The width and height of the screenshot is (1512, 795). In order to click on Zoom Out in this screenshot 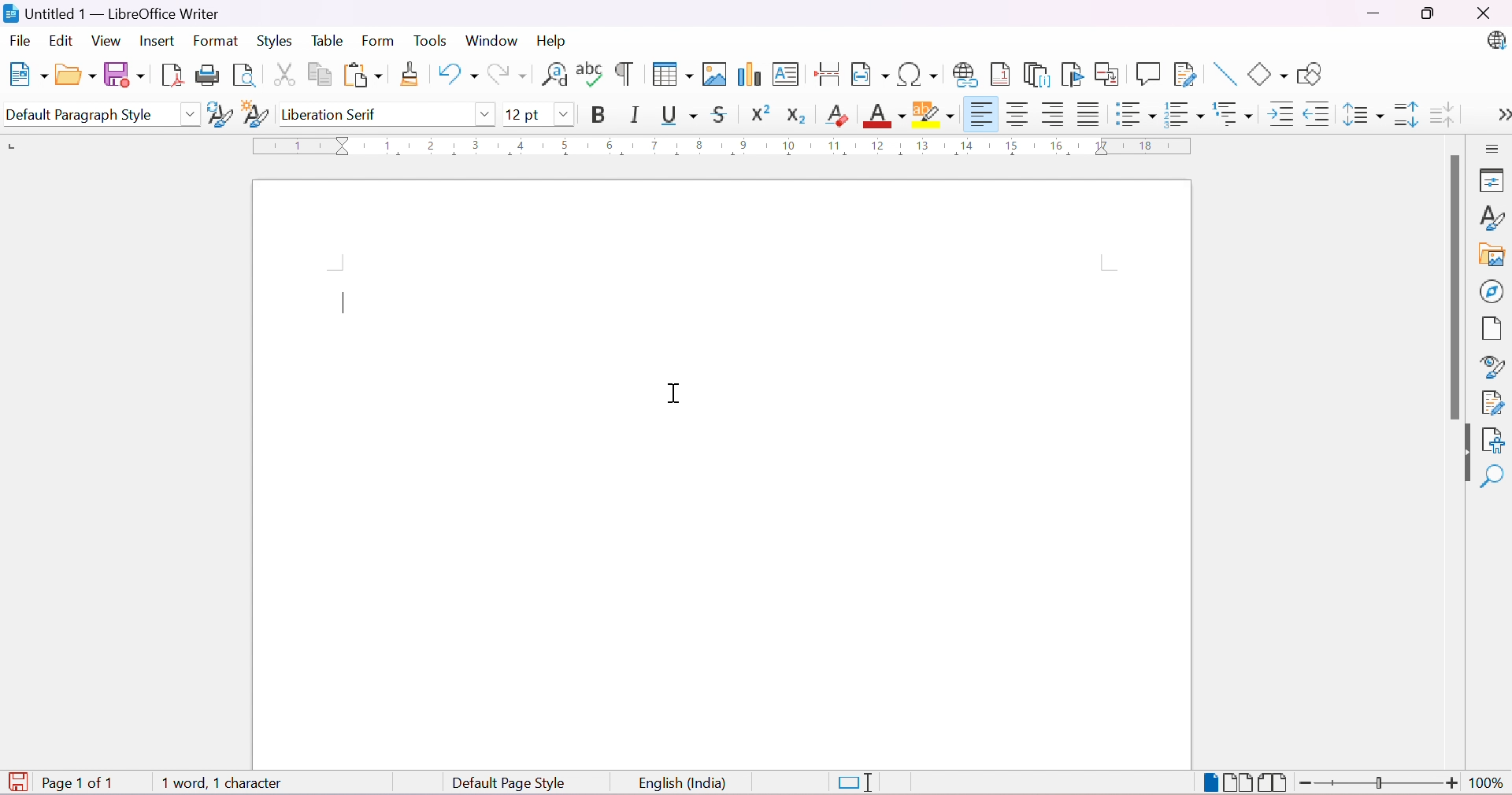, I will do `click(1306, 783)`.